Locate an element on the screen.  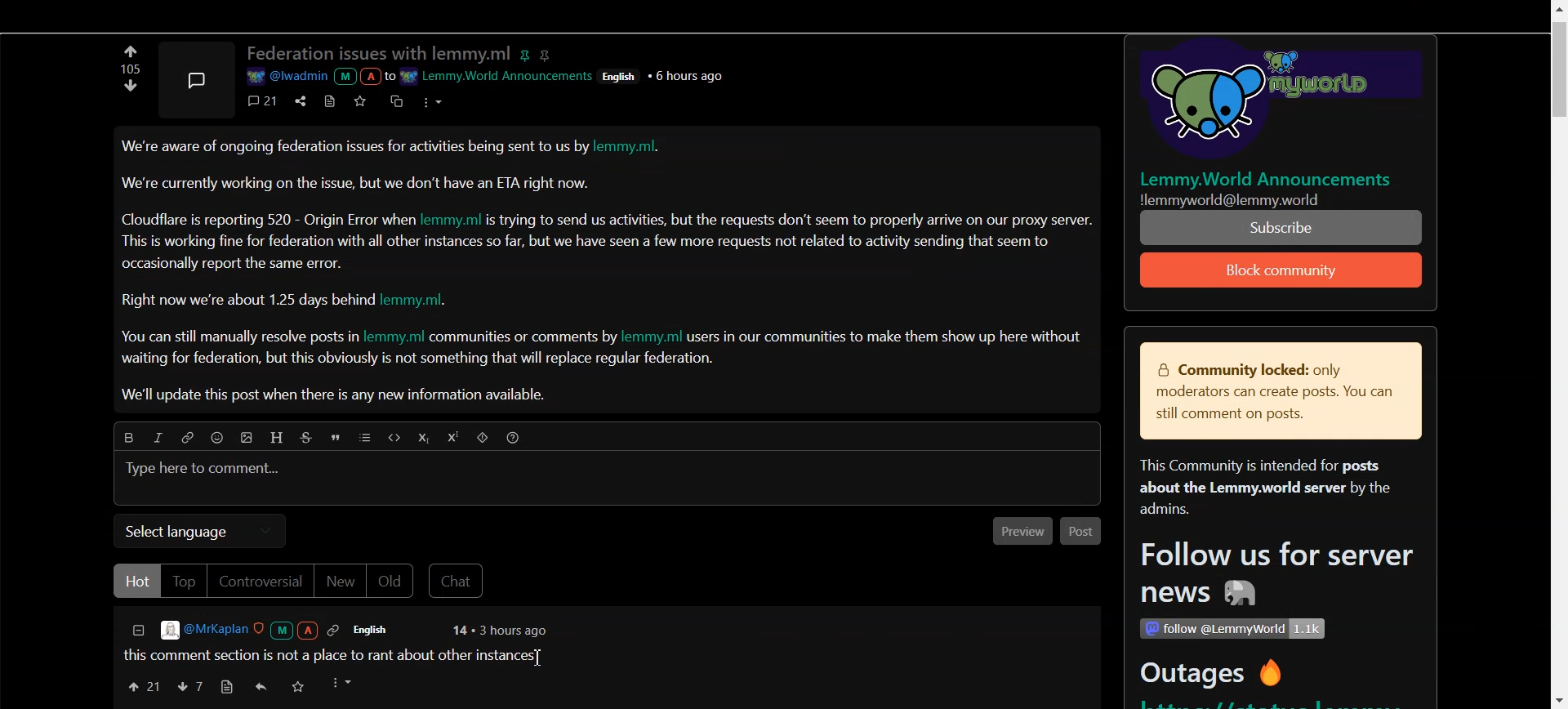
This is working fine for federation with all other instances so far, but we have seen a few more requests not related to activity sending that seem to
occasionally report the same error. is located at coordinates (587, 252).